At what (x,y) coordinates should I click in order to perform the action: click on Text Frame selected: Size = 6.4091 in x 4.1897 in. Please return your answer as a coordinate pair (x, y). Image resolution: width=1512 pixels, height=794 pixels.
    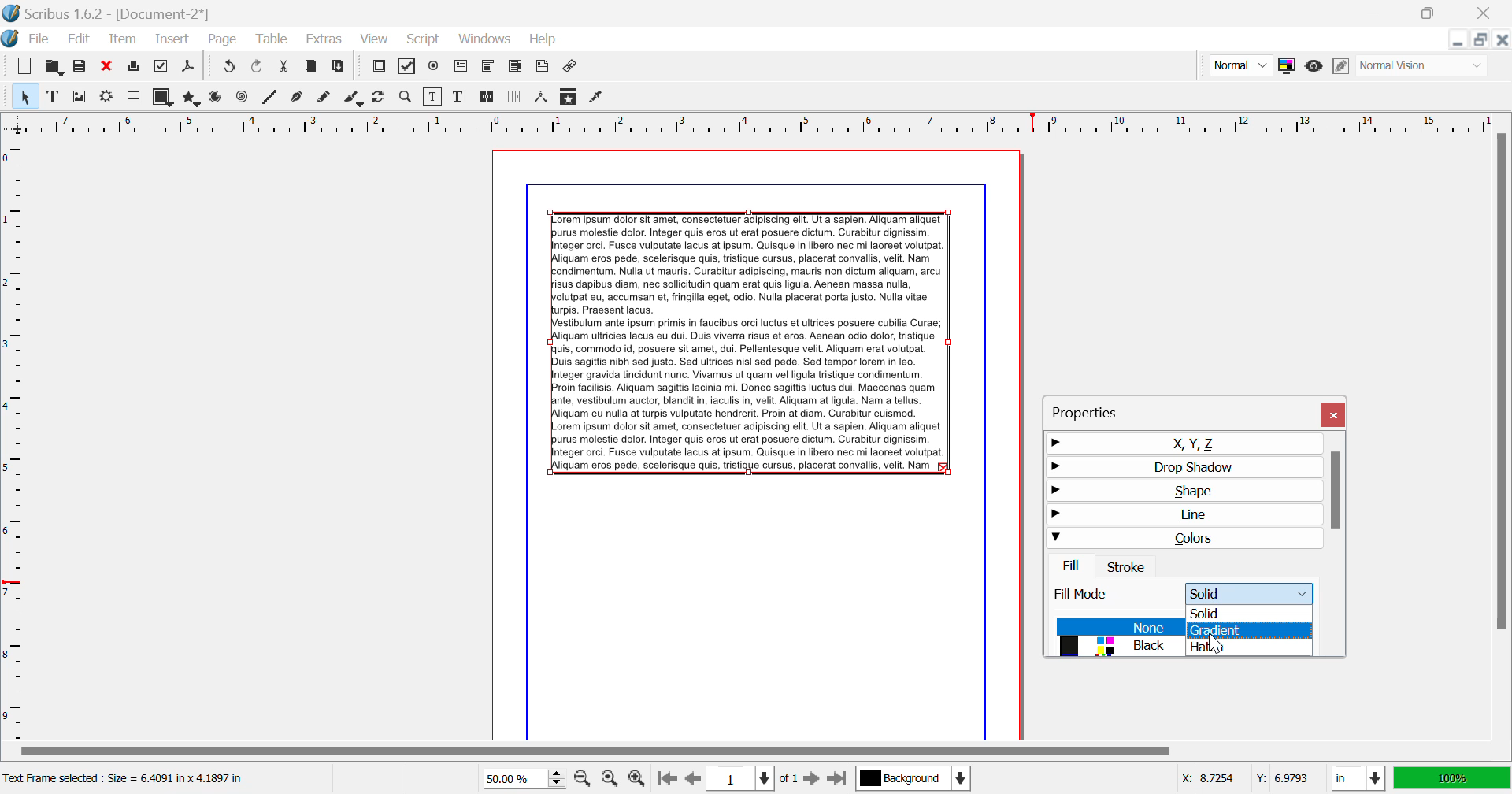
    Looking at the image, I should click on (127, 779).